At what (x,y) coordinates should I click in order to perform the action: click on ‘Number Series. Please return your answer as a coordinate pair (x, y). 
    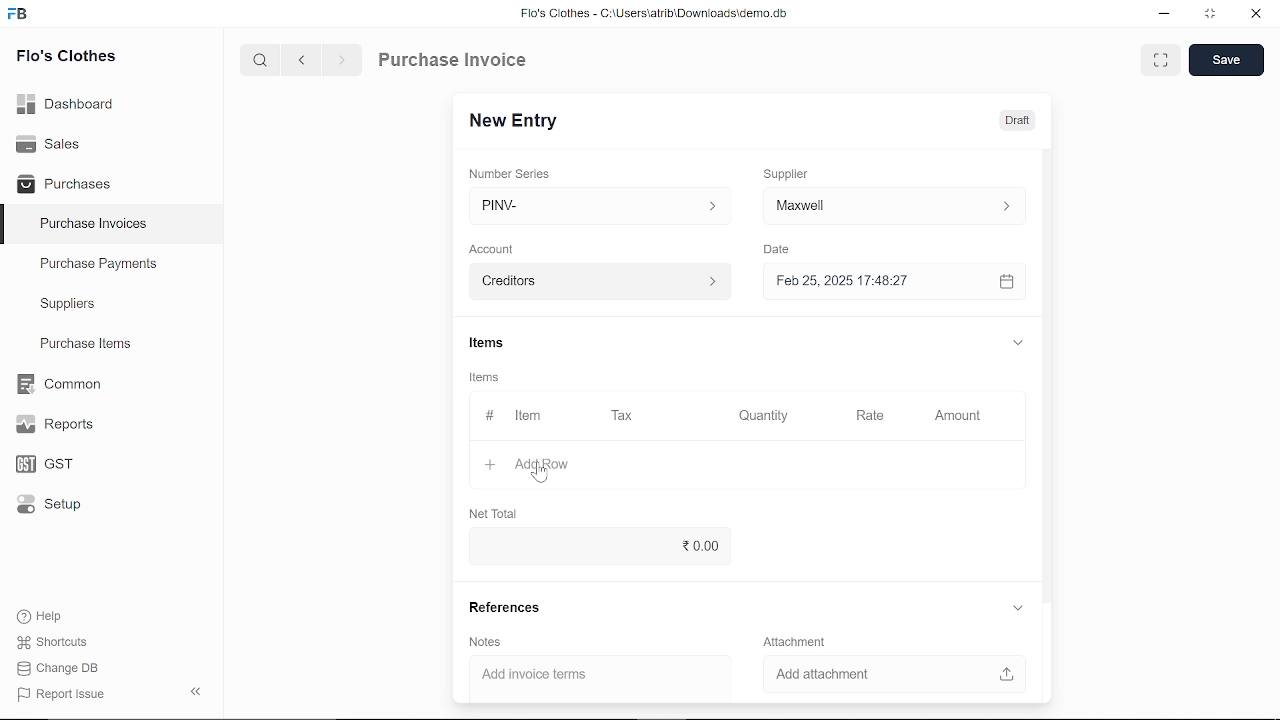
    Looking at the image, I should click on (516, 173).